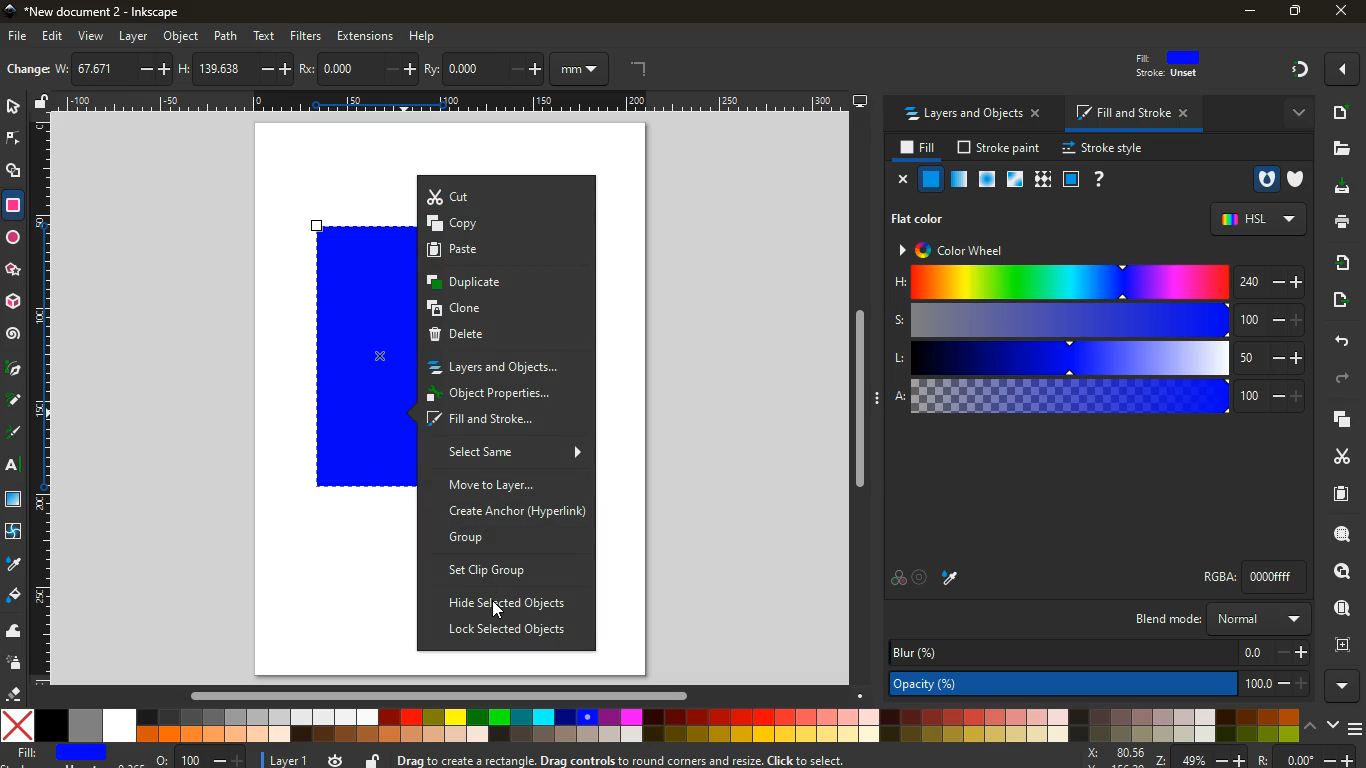  Describe the element at coordinates (649, 726) in the screenshot. I see `colors` at that location.